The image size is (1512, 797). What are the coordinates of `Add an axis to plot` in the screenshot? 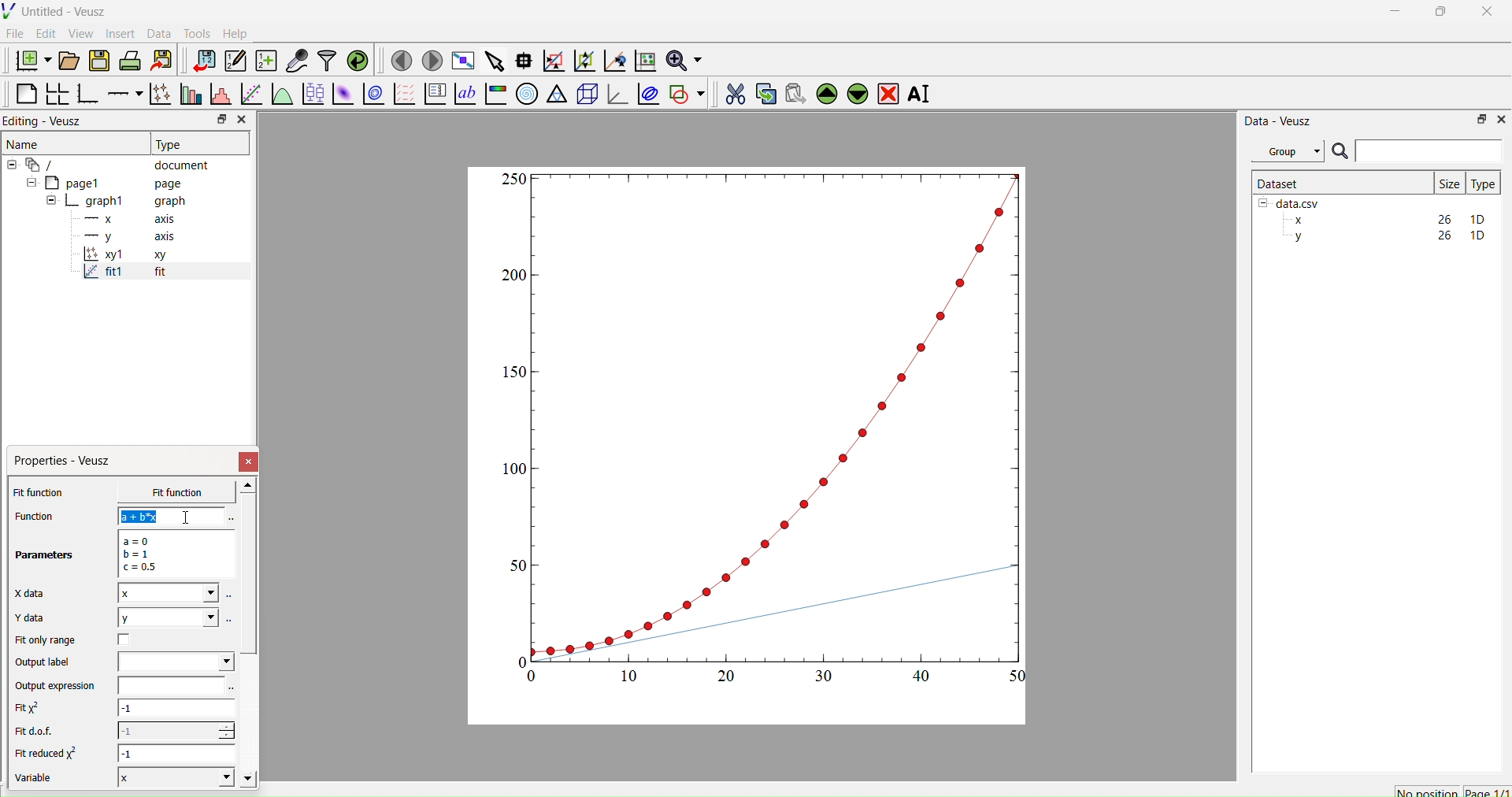 It's located at (120, 92).